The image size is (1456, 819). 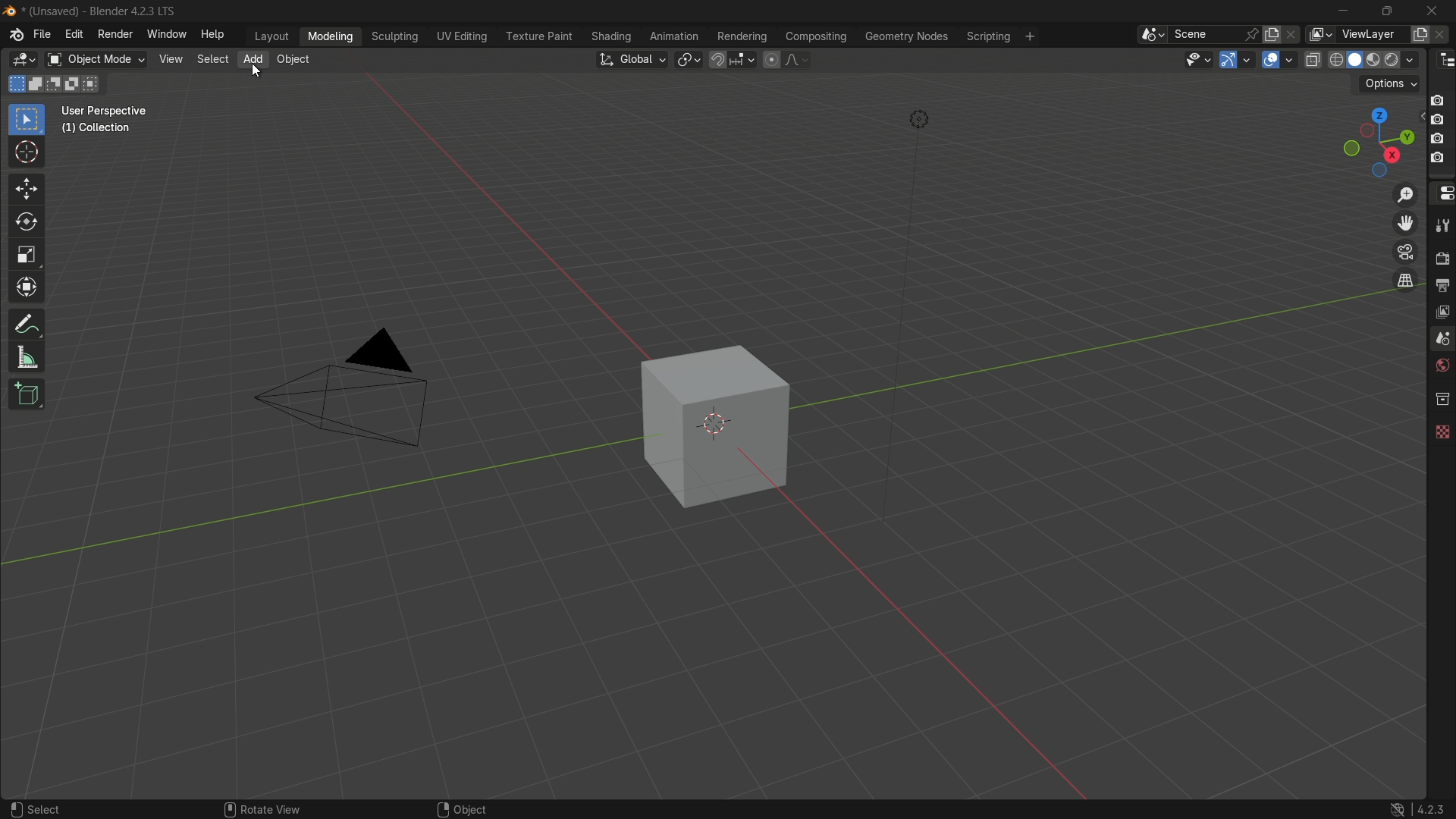 What do you see at coordinates (1372, 34) in the screenshot?
I see `view layer name` at bounding box center [1372, 34].